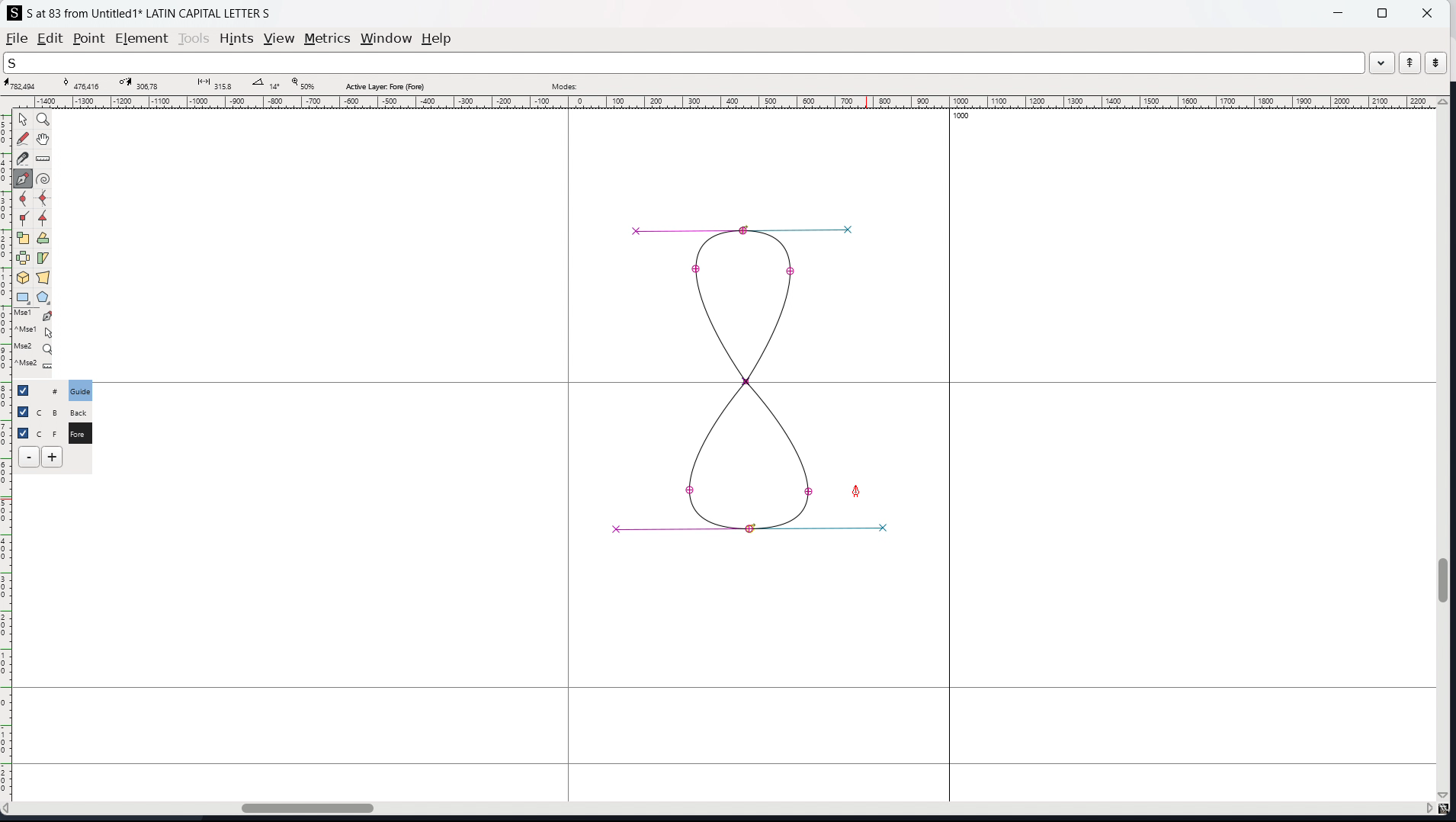 The height and width of the screenshot is (822, 1456). What do you see at coordinates (17, 38) in the screenshot?
I see `file` at bounding box center [17, 38].